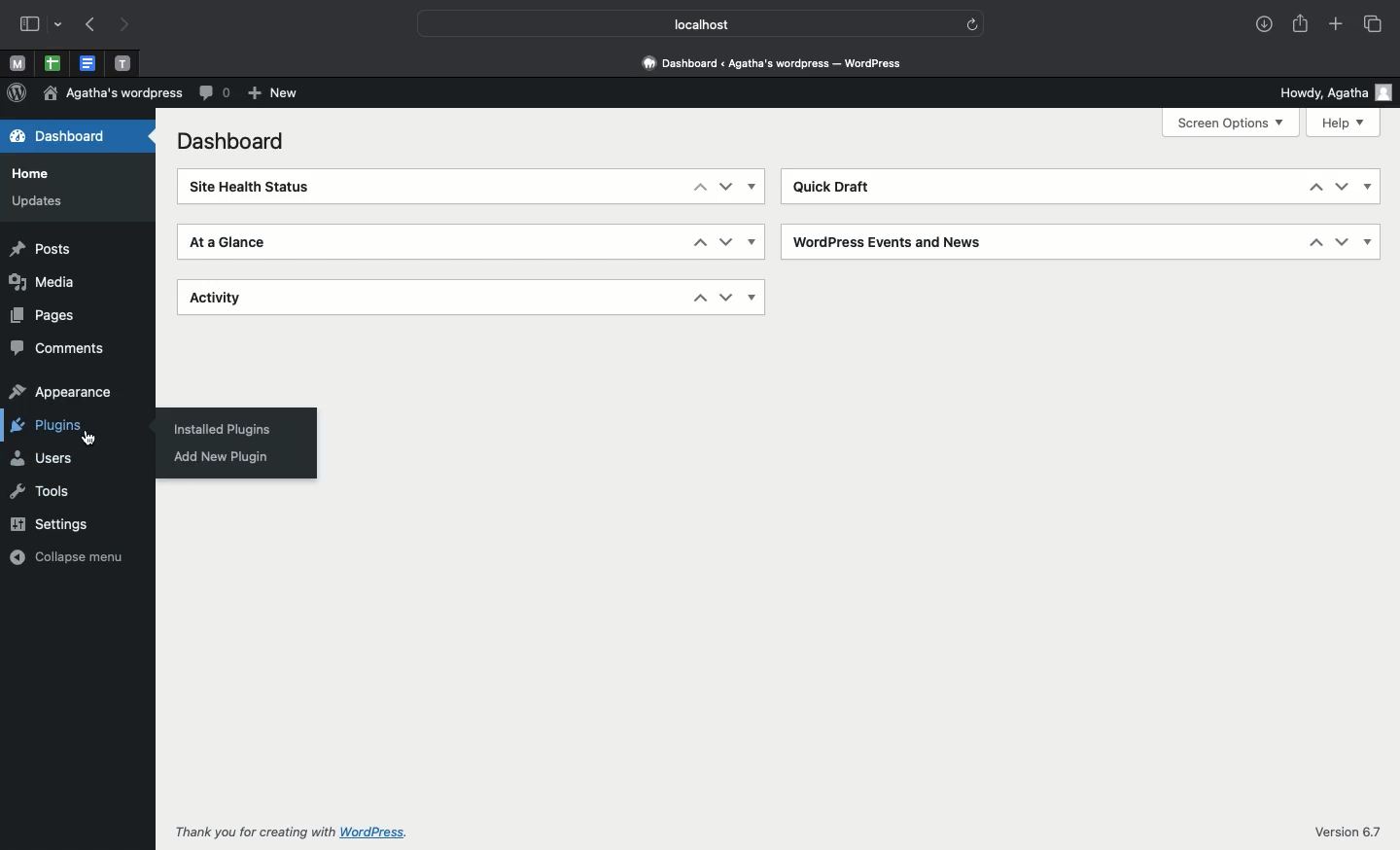  Describe the element at coordinates (1340, 831) in the screenshot. I see `Version 6.7` at that location.